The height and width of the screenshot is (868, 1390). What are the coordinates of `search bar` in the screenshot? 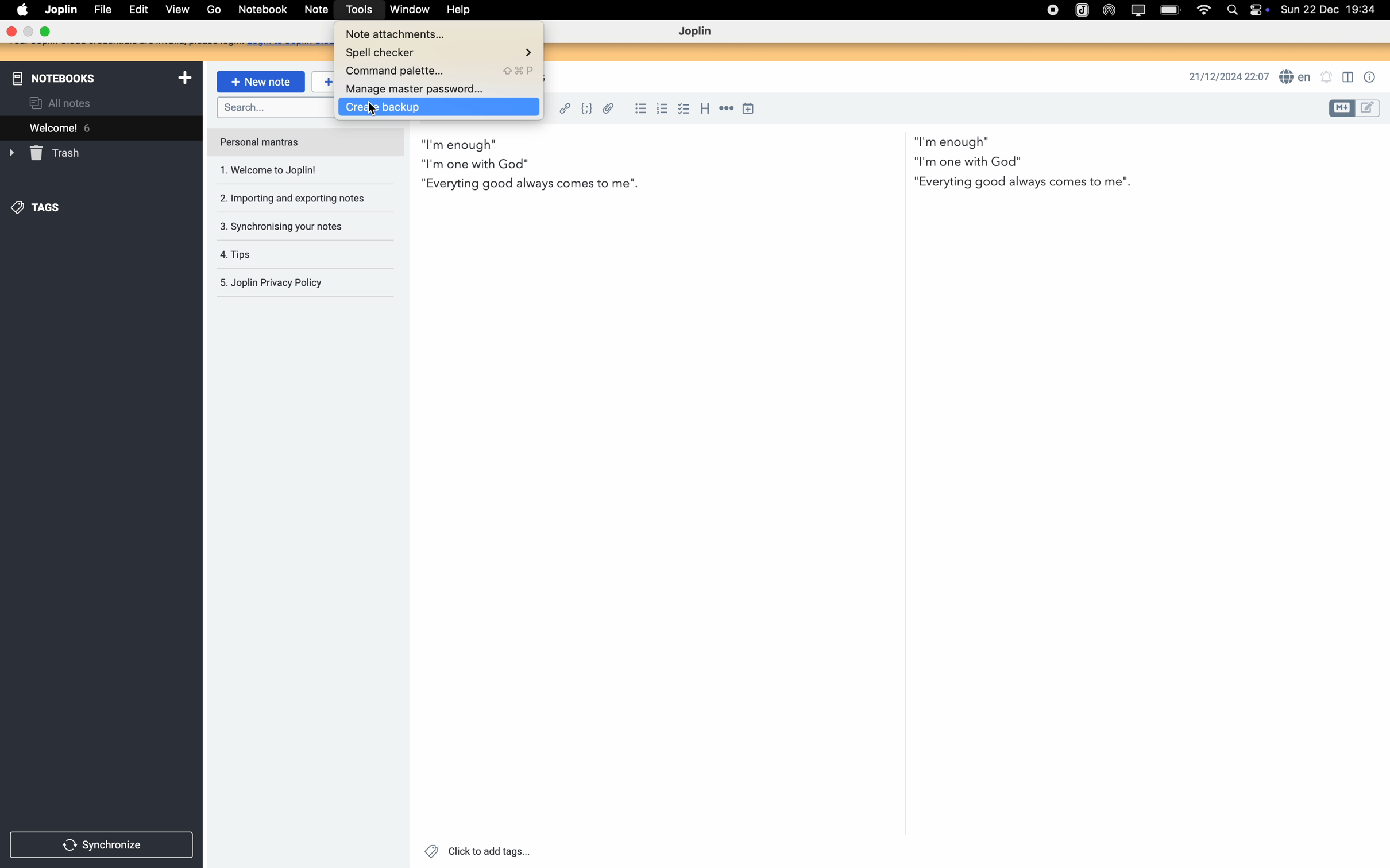 It's located at (270, 107).